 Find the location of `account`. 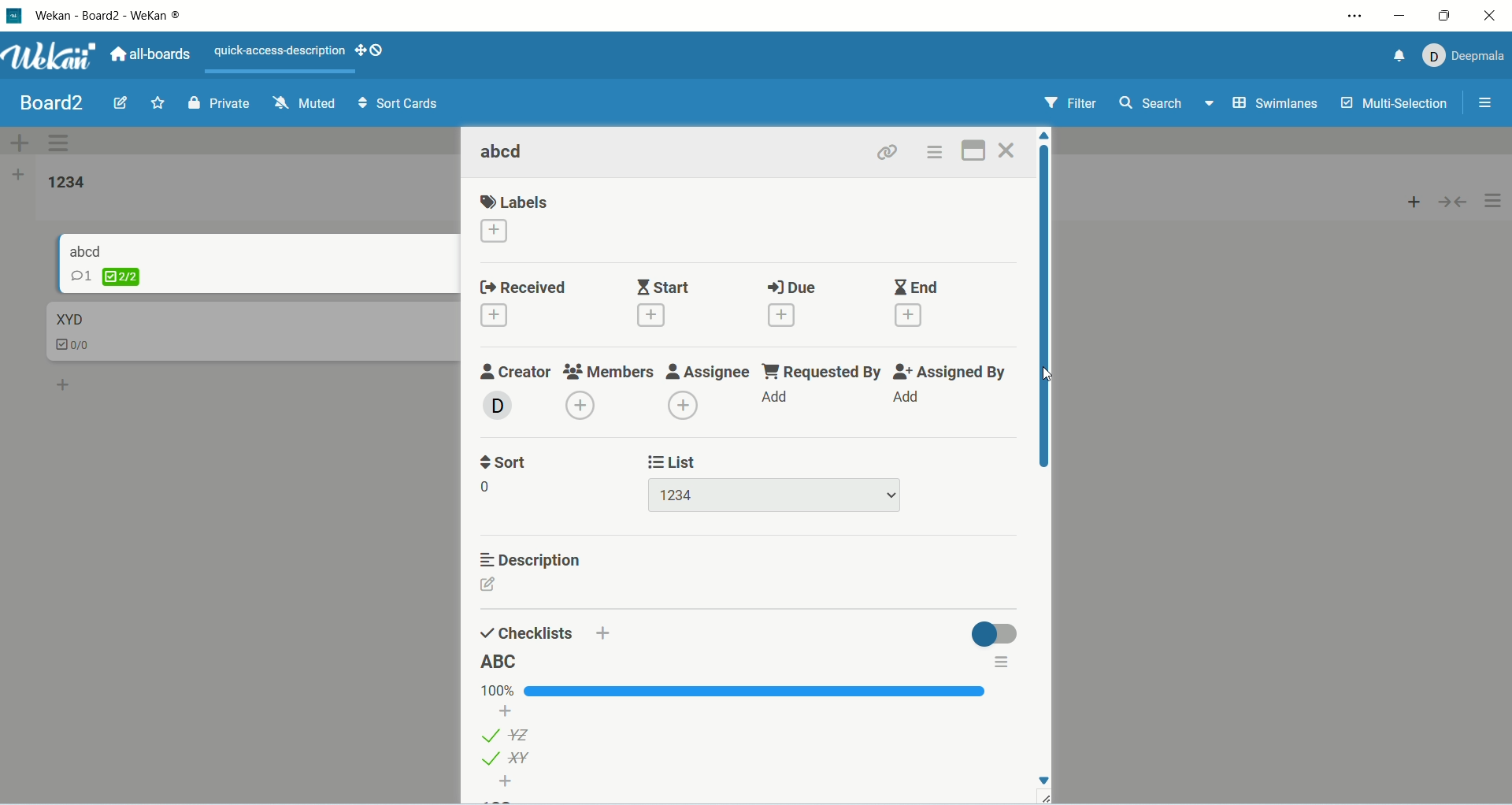

account is located at coordinates (1464, 56).